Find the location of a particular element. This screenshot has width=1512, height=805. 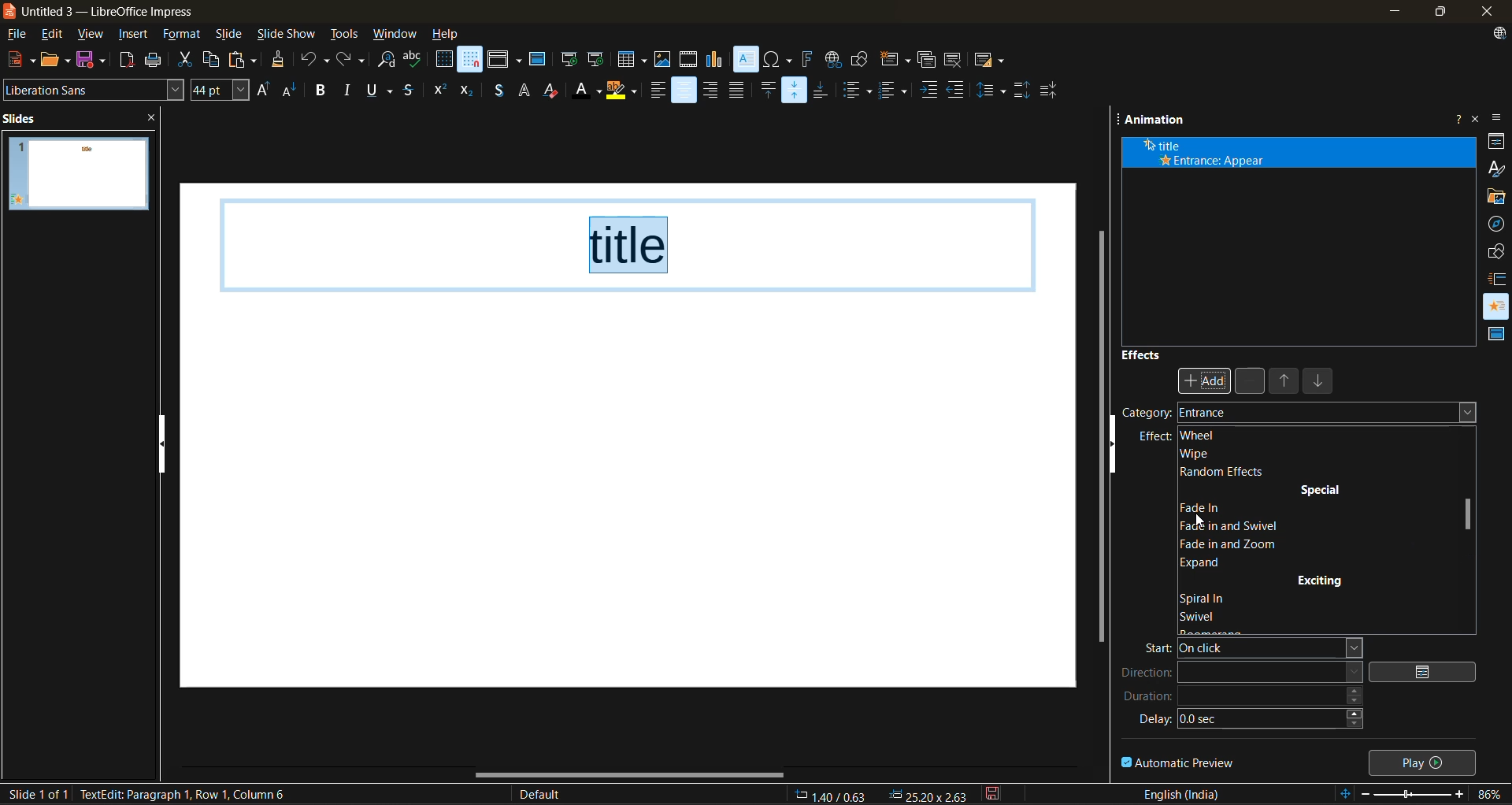

slide is located at coordinates (78, 174).